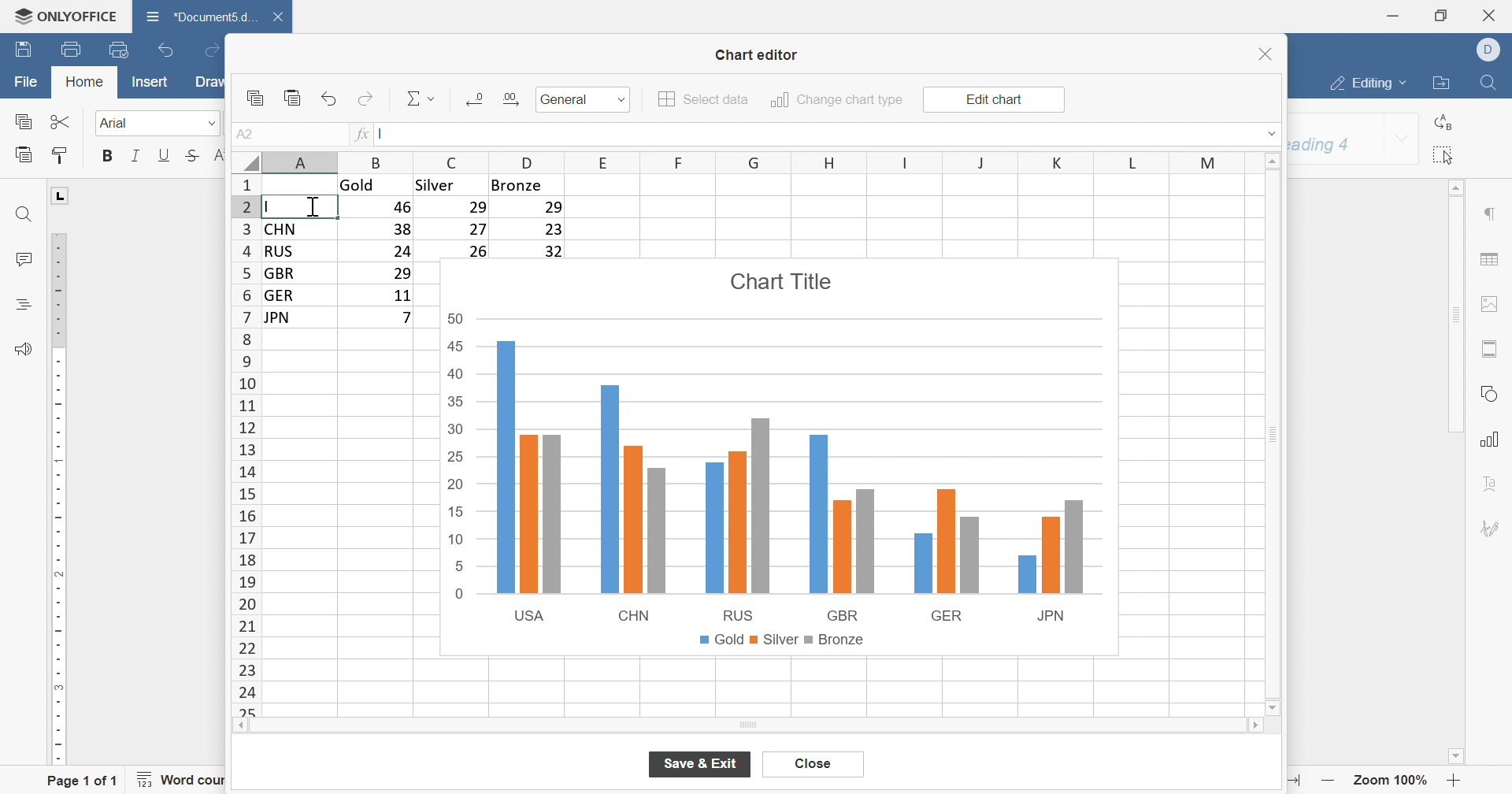 The image size is (1512, 794). Describe the element at coordinates (1496, 528) in the screenshot. I see `signature settings` at that location.